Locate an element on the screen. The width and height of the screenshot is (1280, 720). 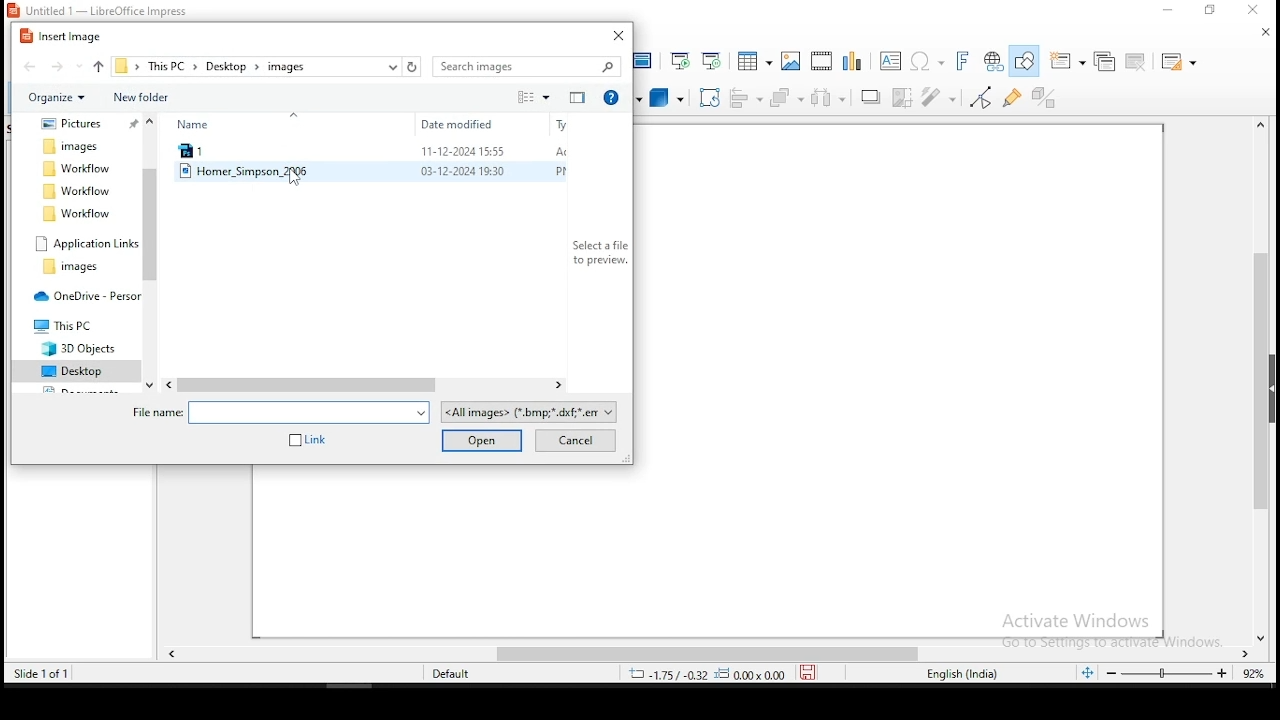
fit slide to current window is located at coordinates (1086, 673).